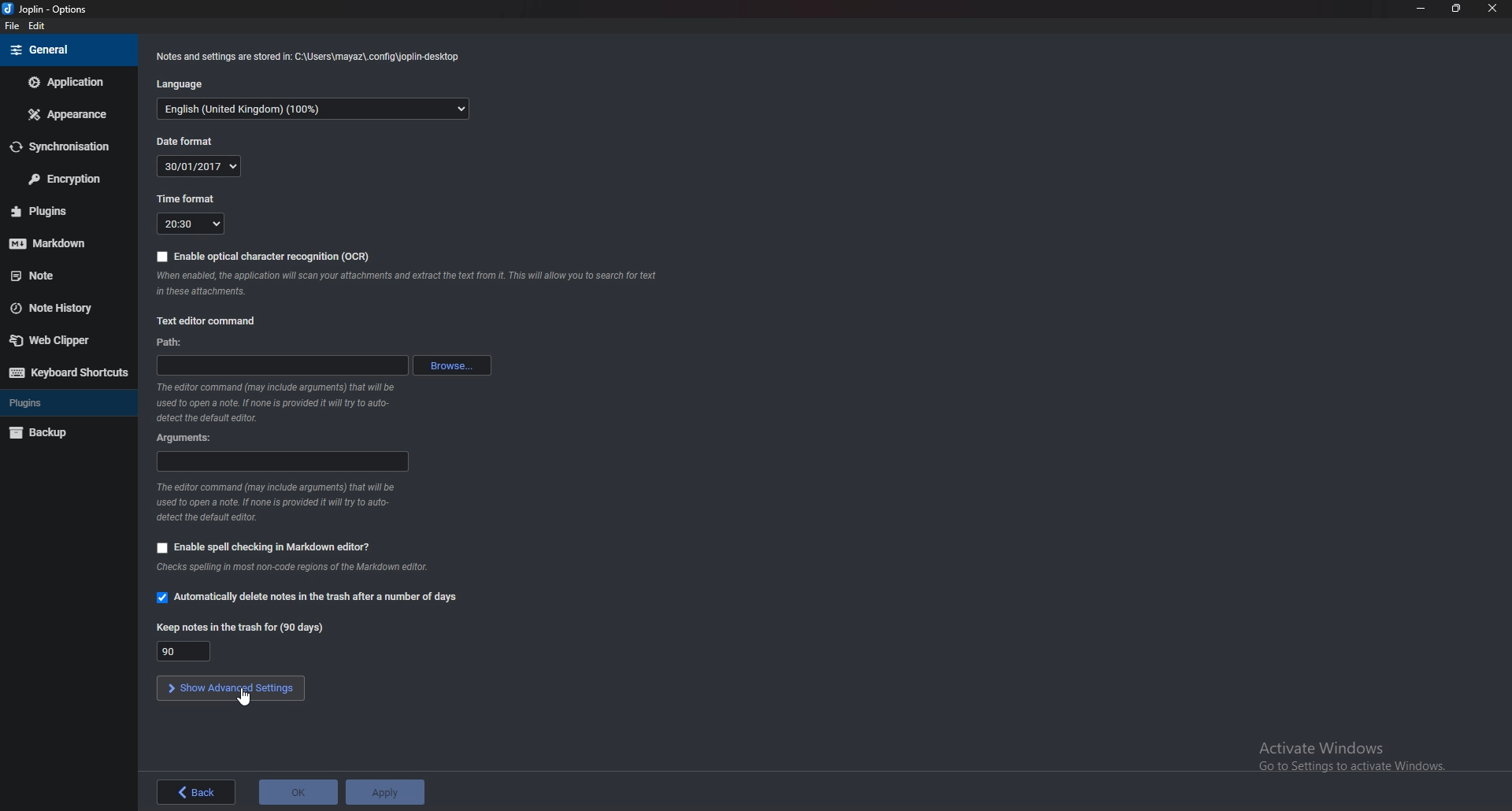  Describe the element at coordinates (187, 439) in the screenshot. I see `Arguments` at that location.